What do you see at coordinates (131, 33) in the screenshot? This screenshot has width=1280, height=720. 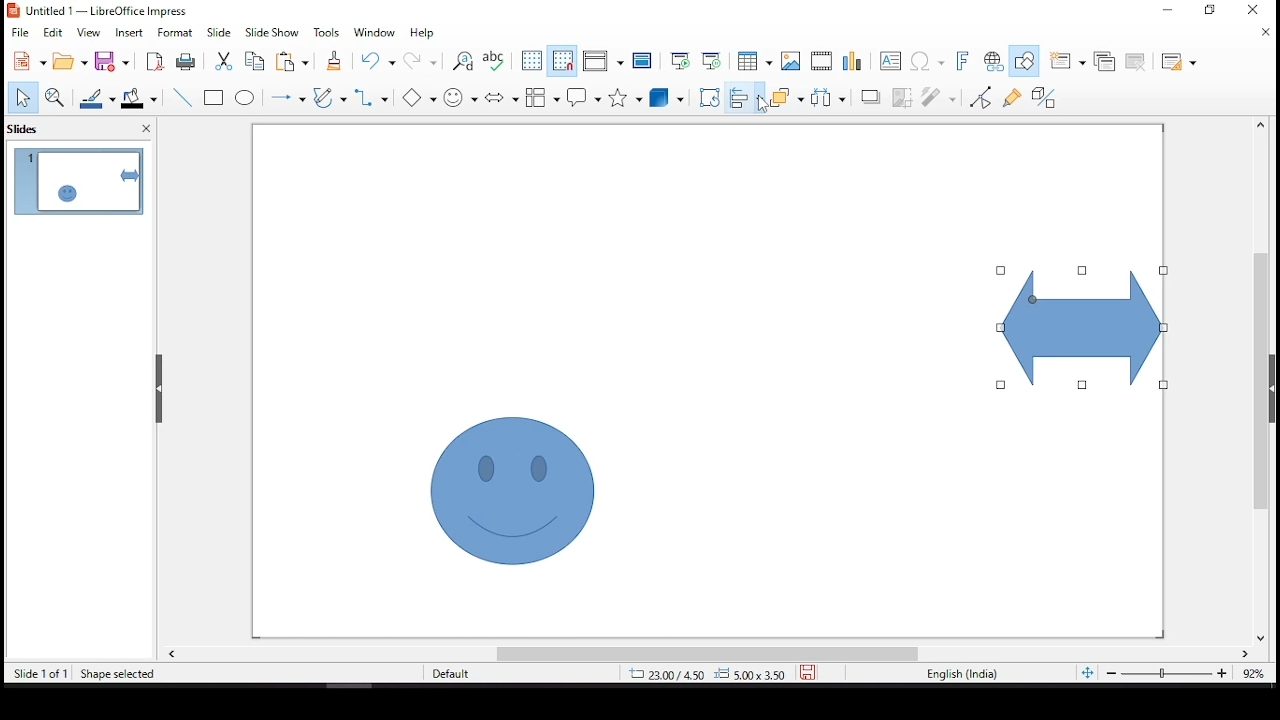 I see `insert` at bounding box center [131, 33].